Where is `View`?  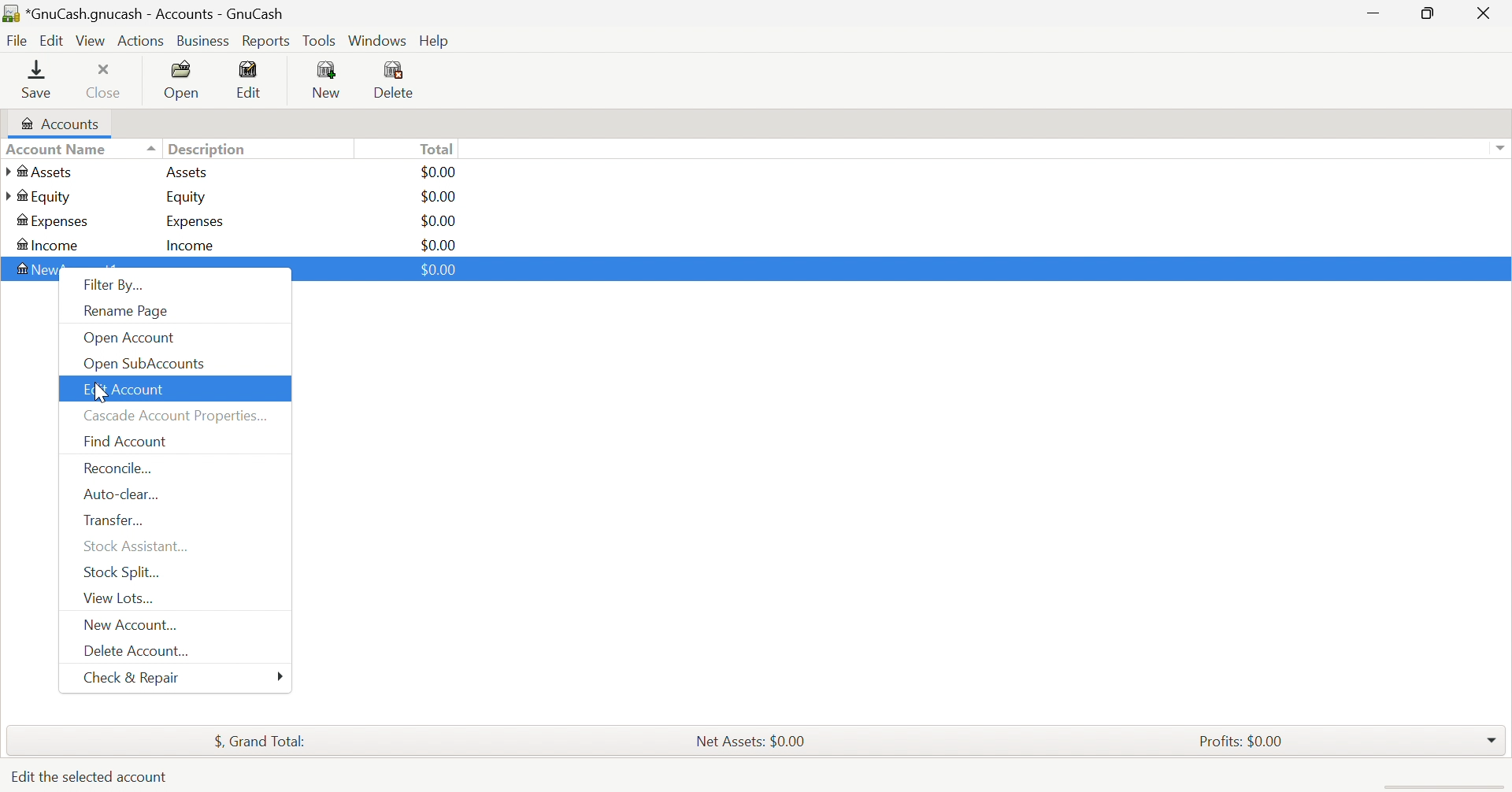 View is located at coordinates (91, 39).